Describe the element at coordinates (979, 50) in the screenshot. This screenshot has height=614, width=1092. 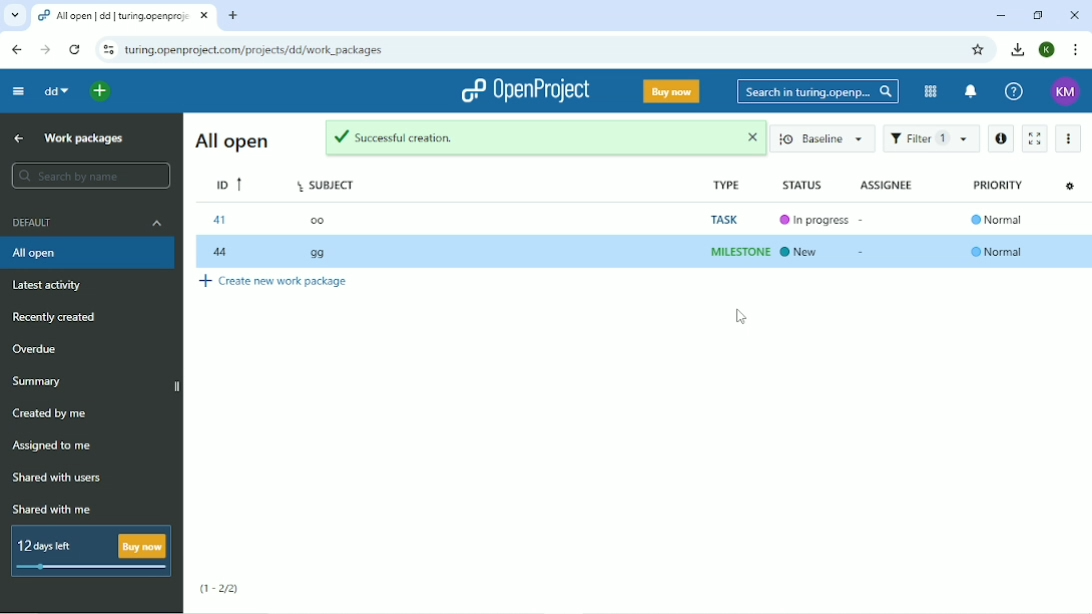
I see `Bookmark this tab` at that location.